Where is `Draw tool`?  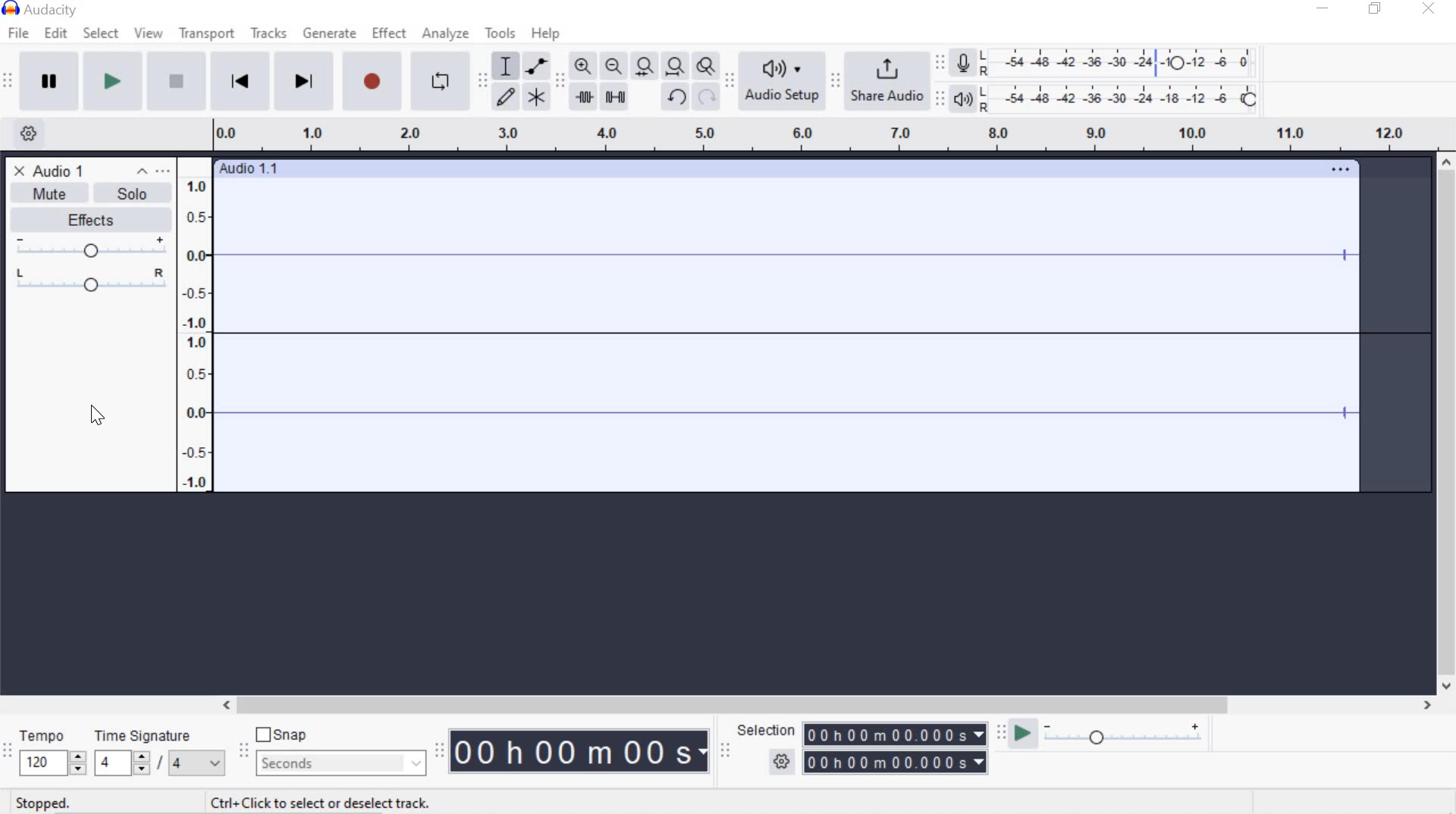 Draw tool is located at coordinates (505, 95).